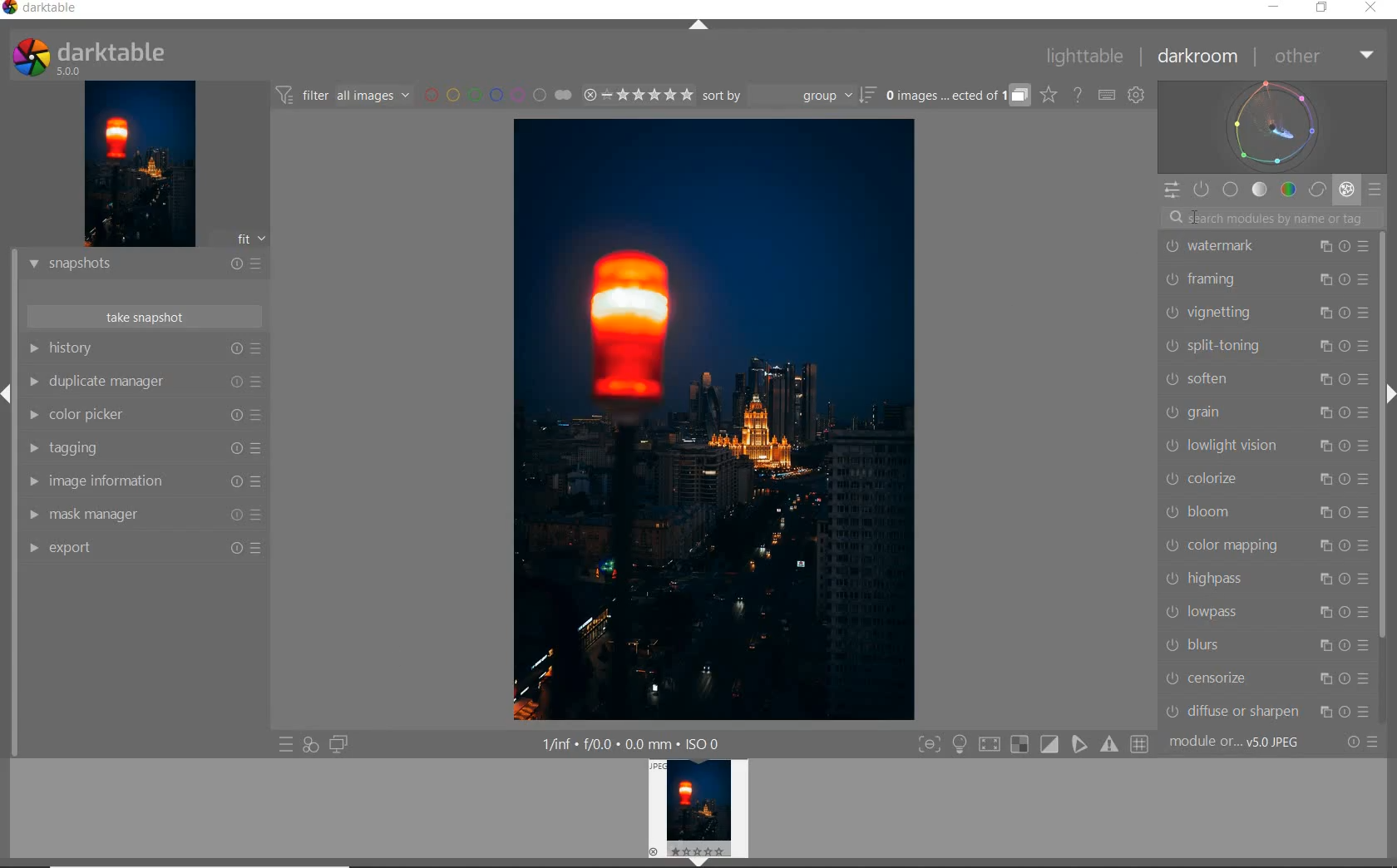  Describe the element at coordinates (239, 484) in the screenshot. I see `Reset` at that location.